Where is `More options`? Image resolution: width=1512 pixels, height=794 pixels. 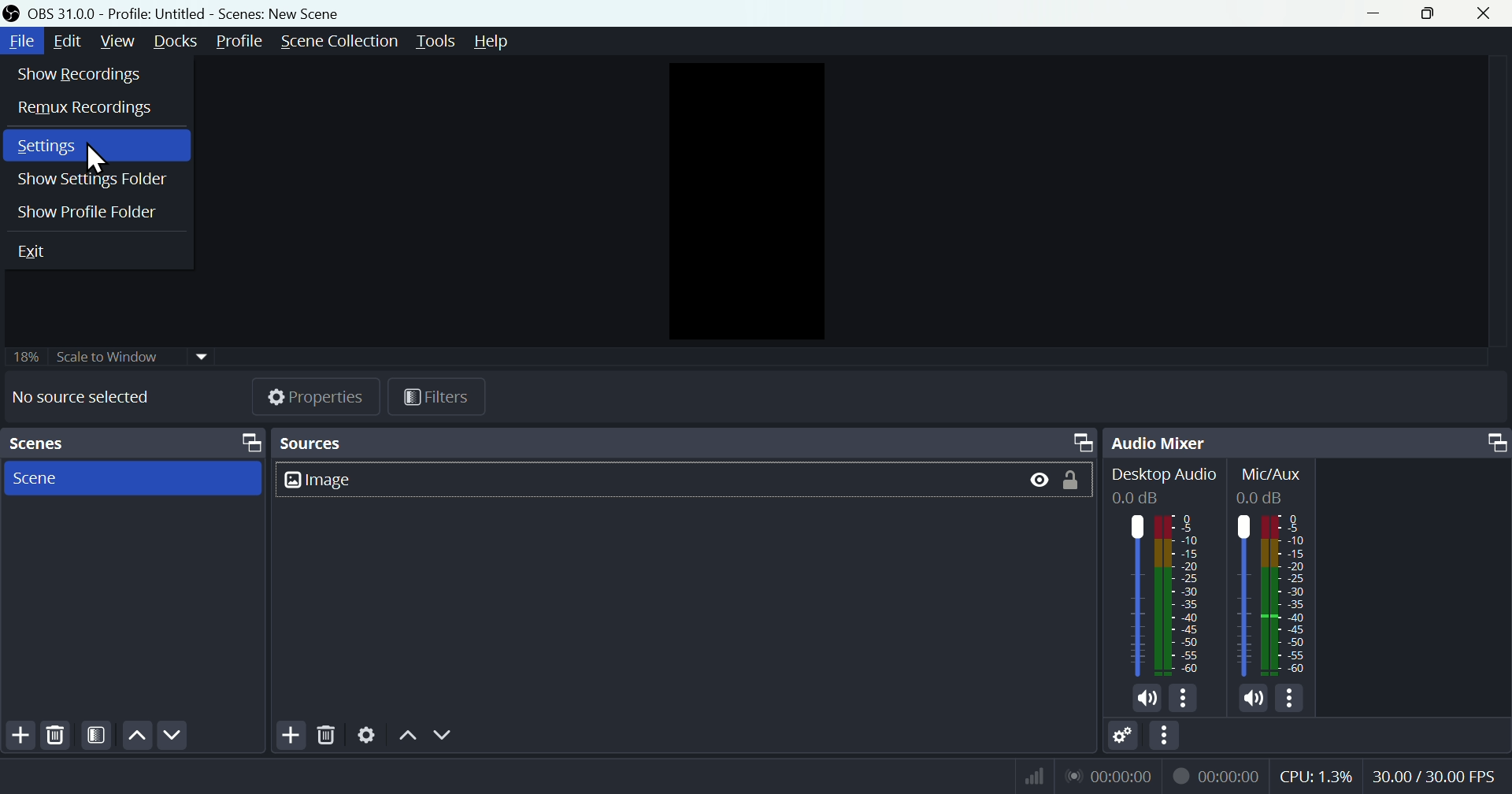 More options is located at coordinates (1165, 736).